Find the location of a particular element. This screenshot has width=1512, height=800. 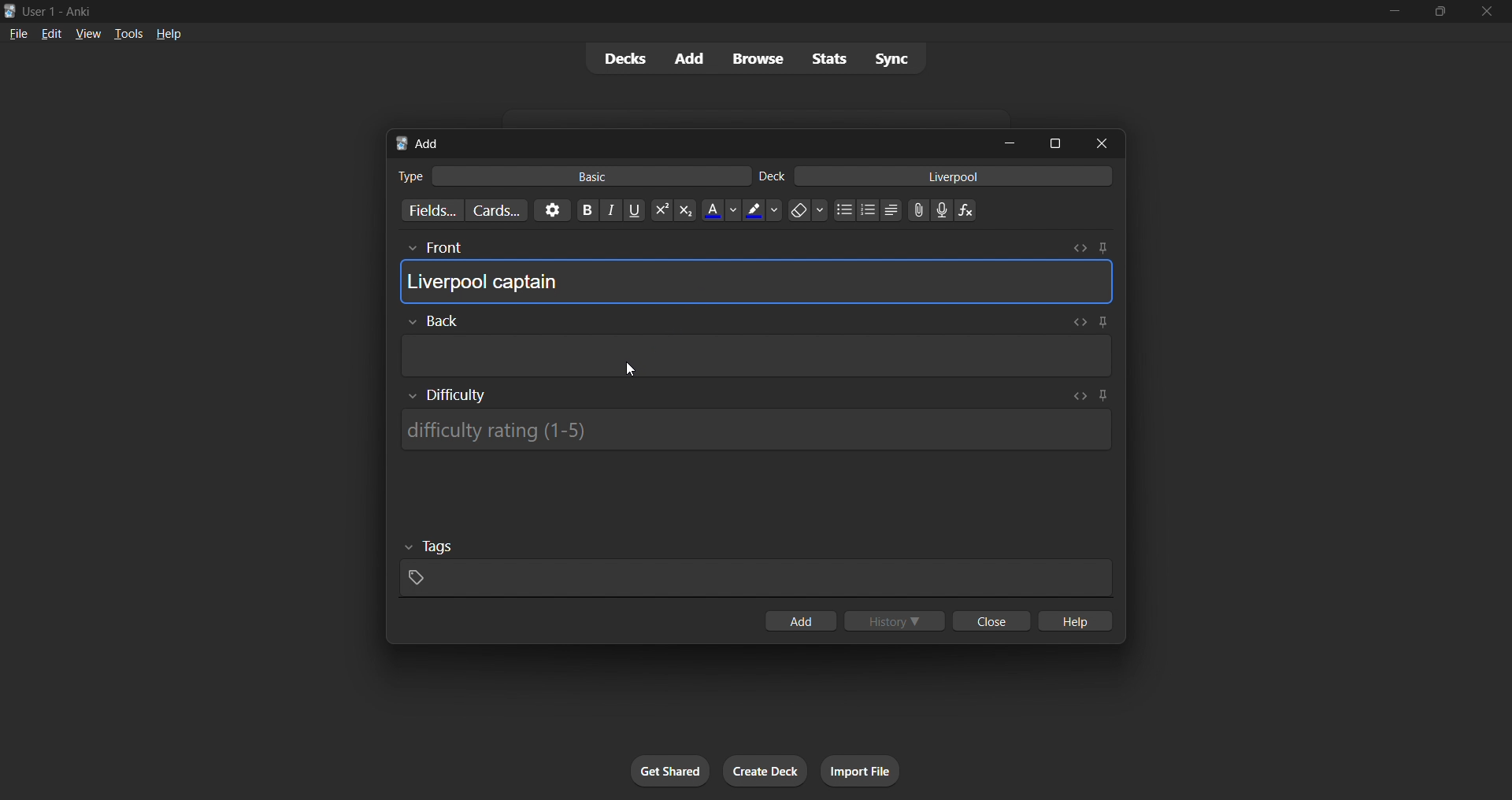

basic card type is located at coordinates (589, 176).